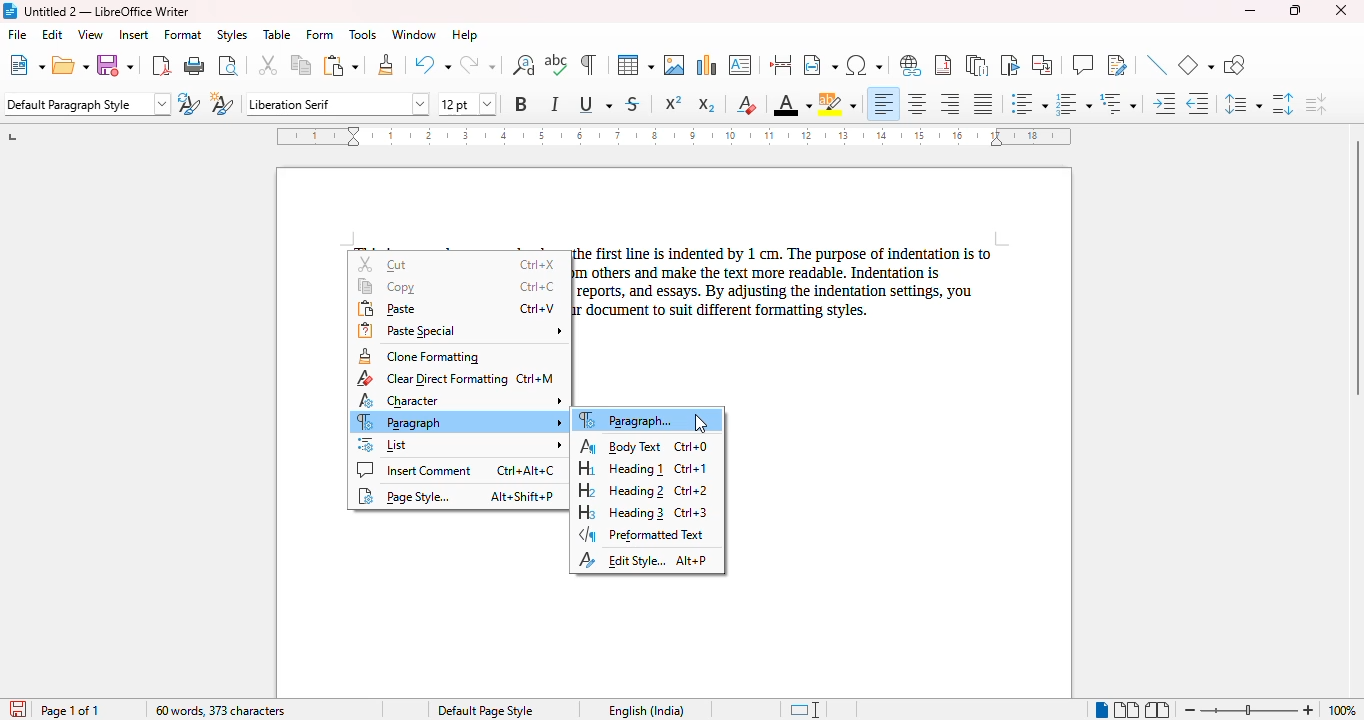 This screenshot has width=1364, height=720. What do you see at coordinates (1309, 709) in the screenshot?
I see `zoom in` at bounding box center [1309, 709].